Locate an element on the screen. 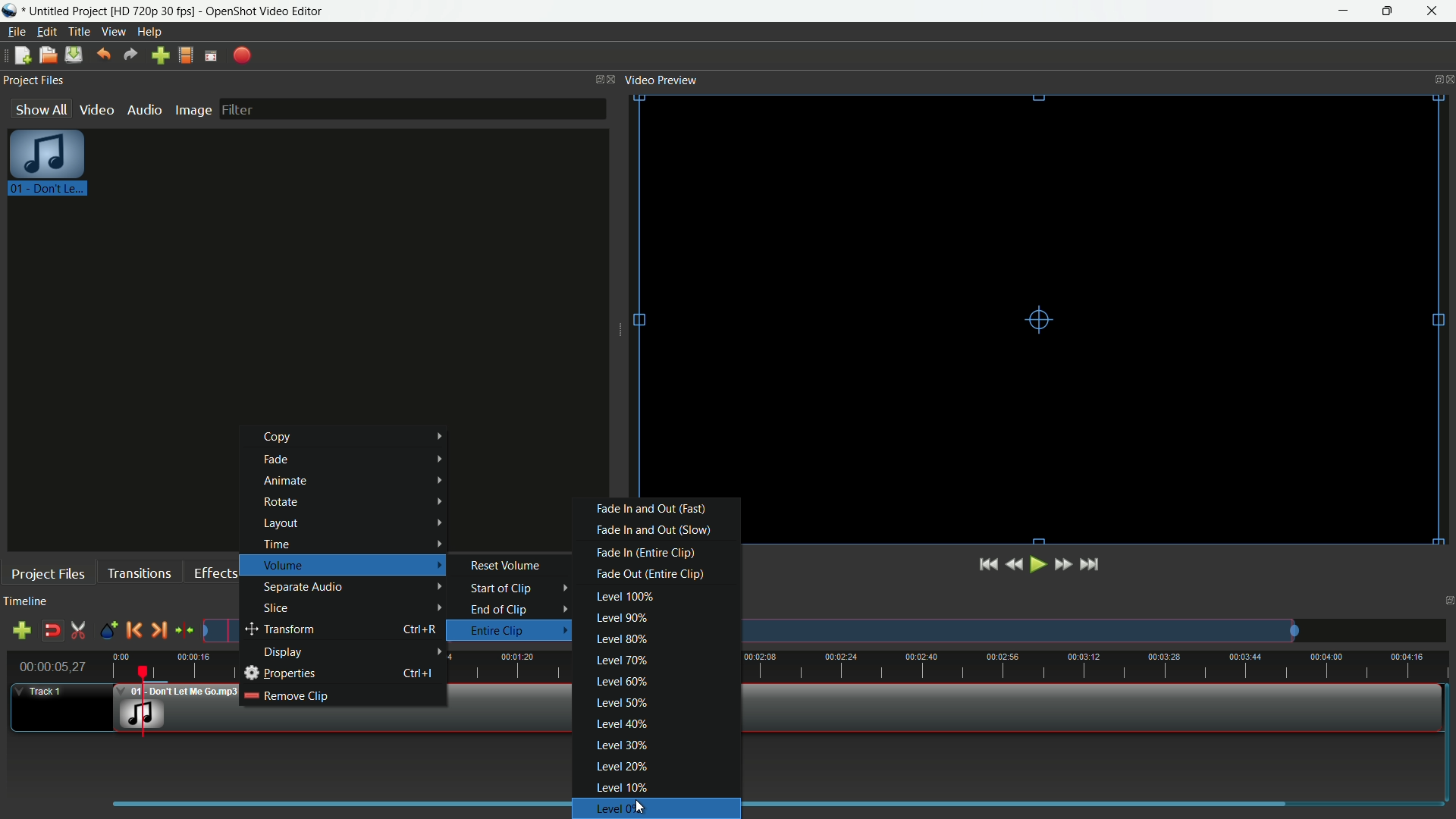 This screenshot has height=819, width=1456. project name is located at coordinates (69, 11).